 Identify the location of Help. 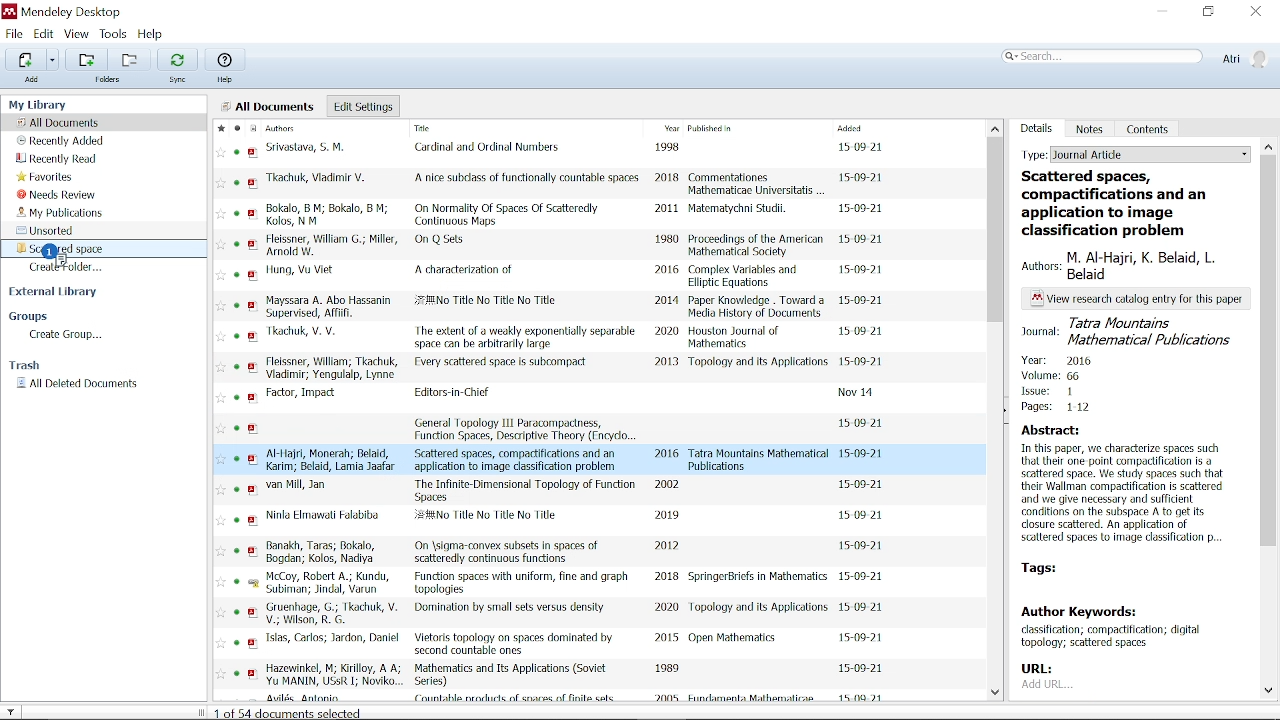
(225, 59).